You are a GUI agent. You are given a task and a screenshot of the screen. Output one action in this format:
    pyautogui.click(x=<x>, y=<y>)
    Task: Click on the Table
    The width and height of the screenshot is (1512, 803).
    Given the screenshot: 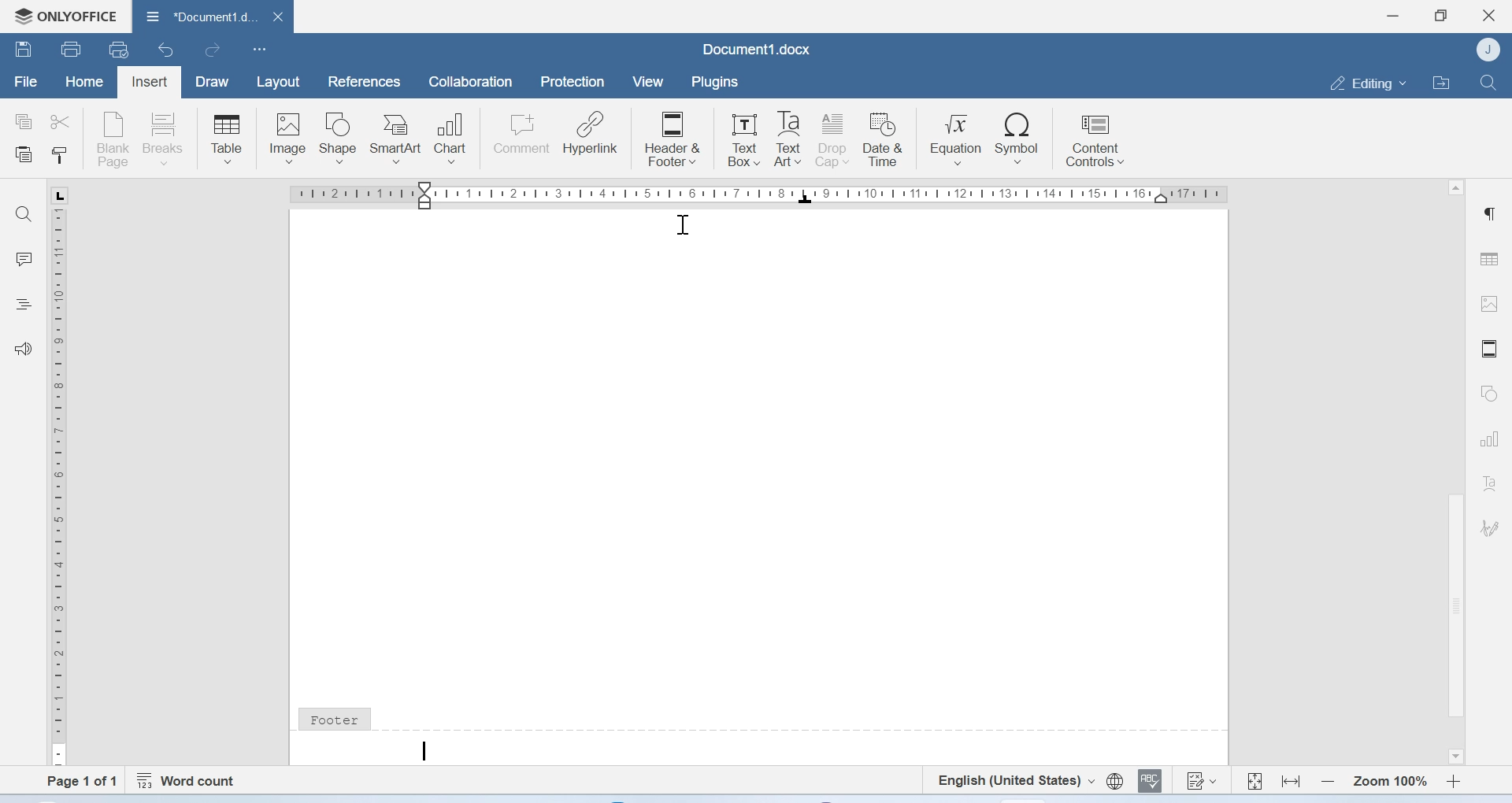 What is the action you would take?
    pyautogui.click(x=1492, y=254)
    